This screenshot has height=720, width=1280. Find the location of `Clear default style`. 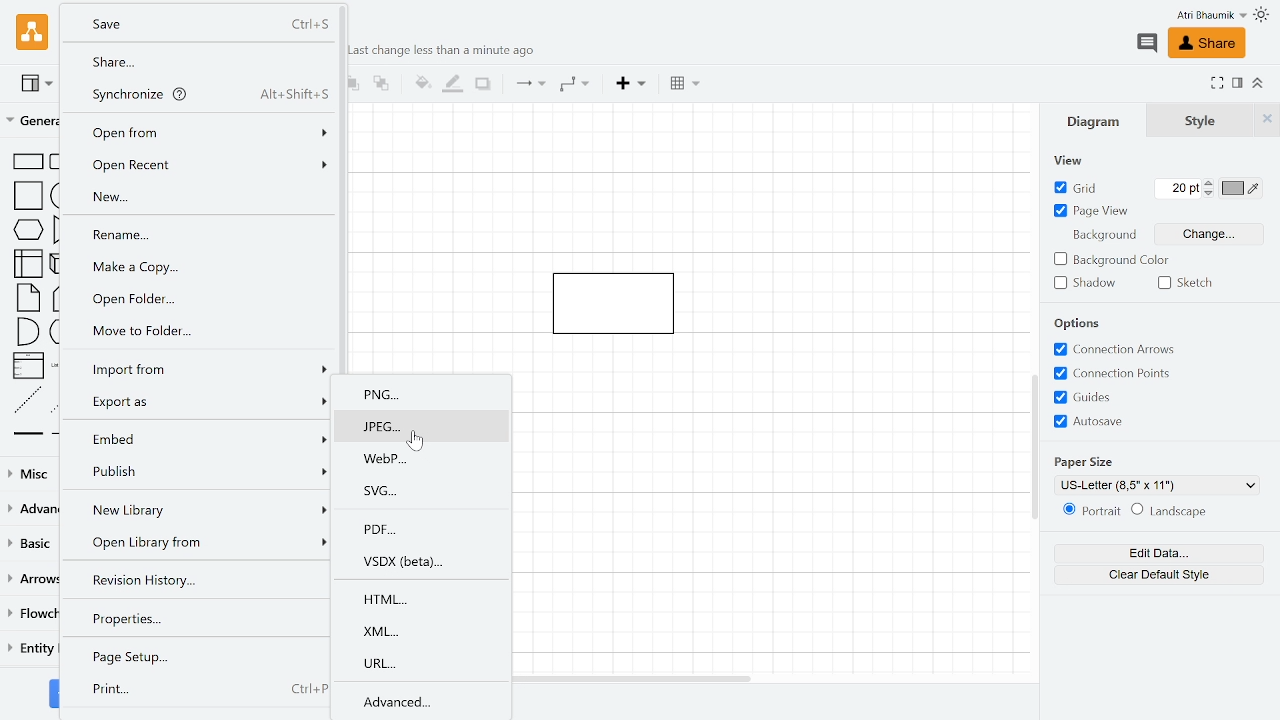

Clear default style is located at coordinates (1159, 574).